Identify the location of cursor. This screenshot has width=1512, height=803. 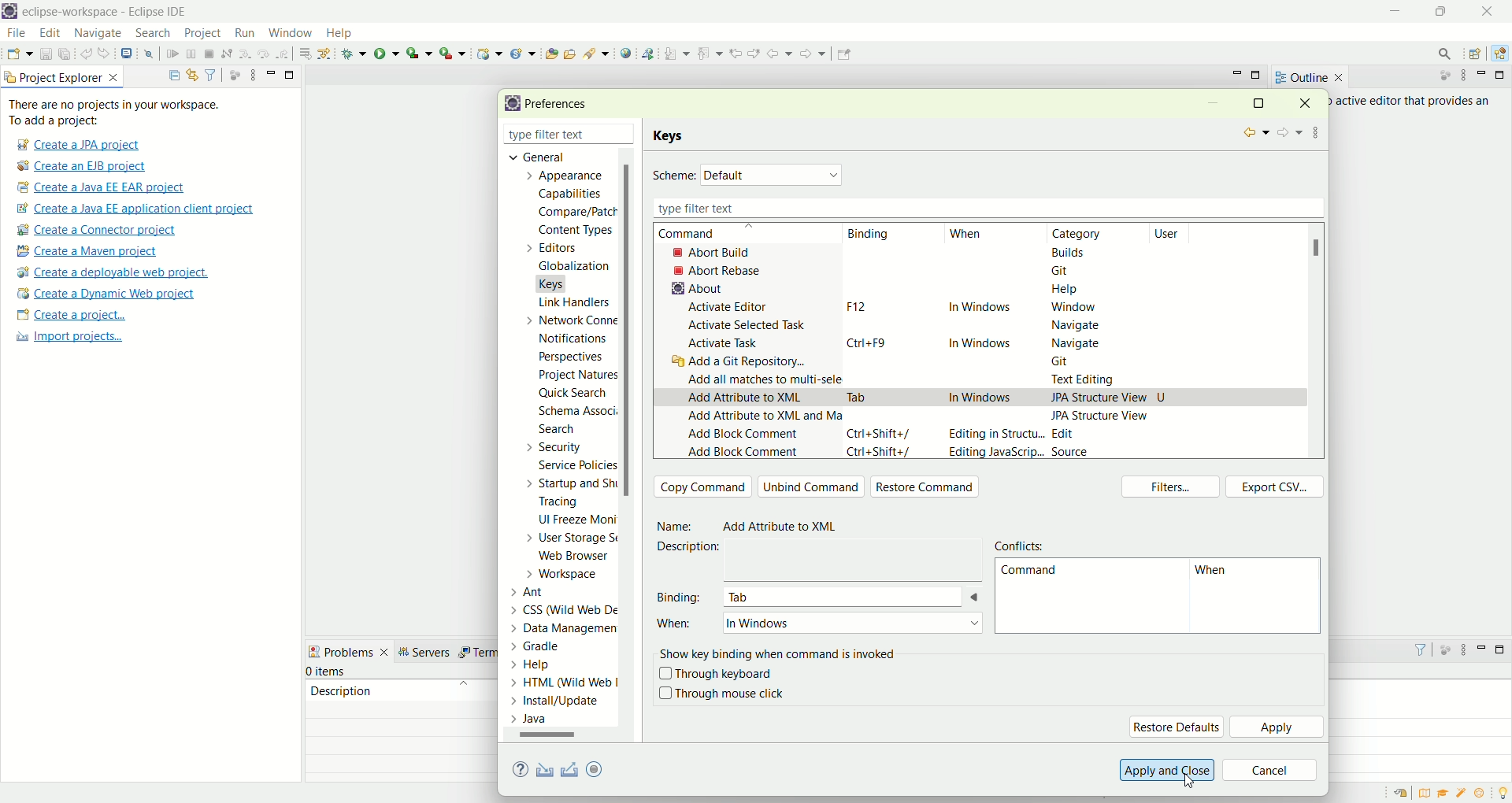
(1196, 782).